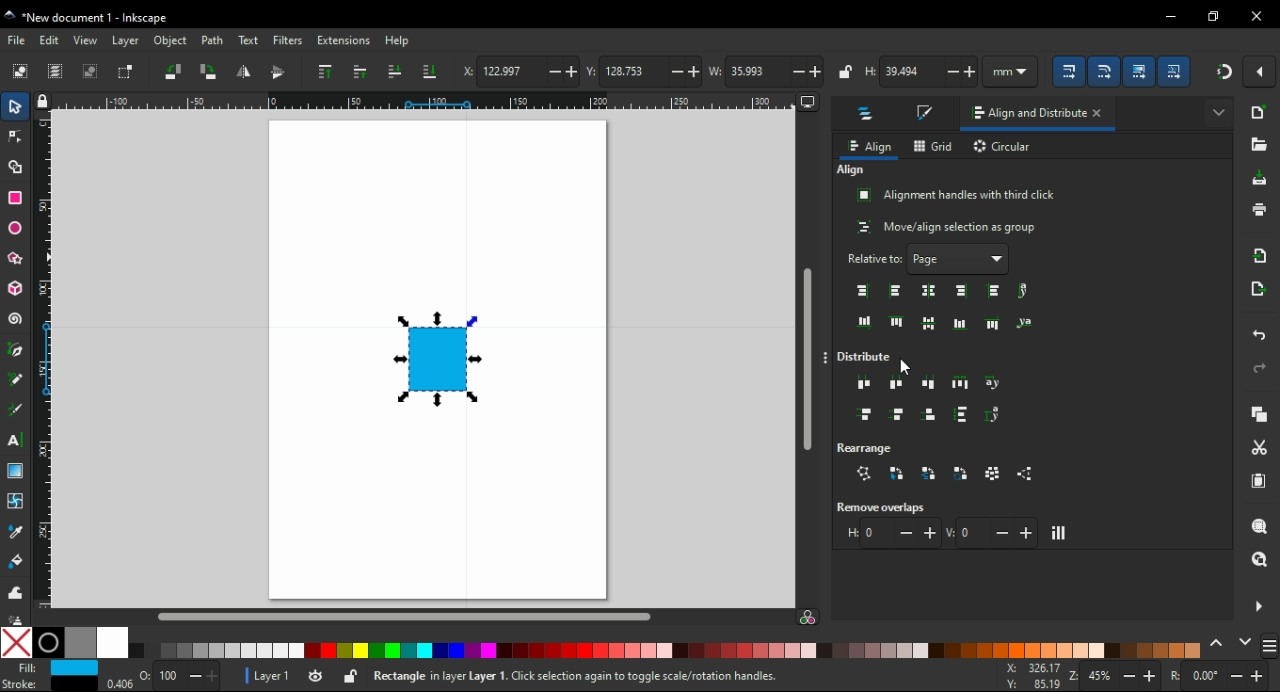 This screenshot has height=692, width=1280. What do you see at coordinates (52, 668) in the screenshot?
I see `fill color` at bounding box center [52, 668].